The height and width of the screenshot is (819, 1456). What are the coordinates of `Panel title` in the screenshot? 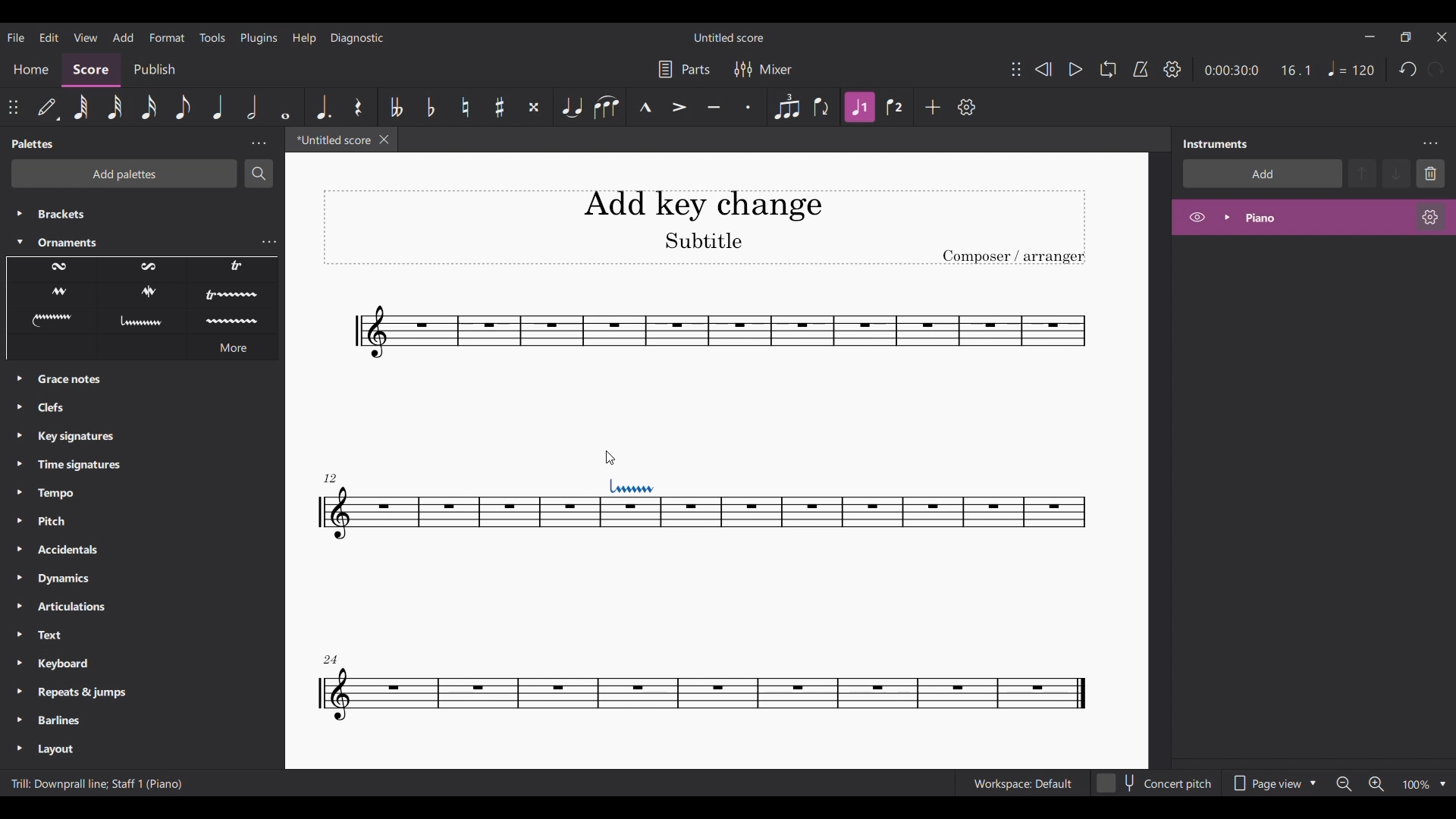 It's located at (1214, 143).